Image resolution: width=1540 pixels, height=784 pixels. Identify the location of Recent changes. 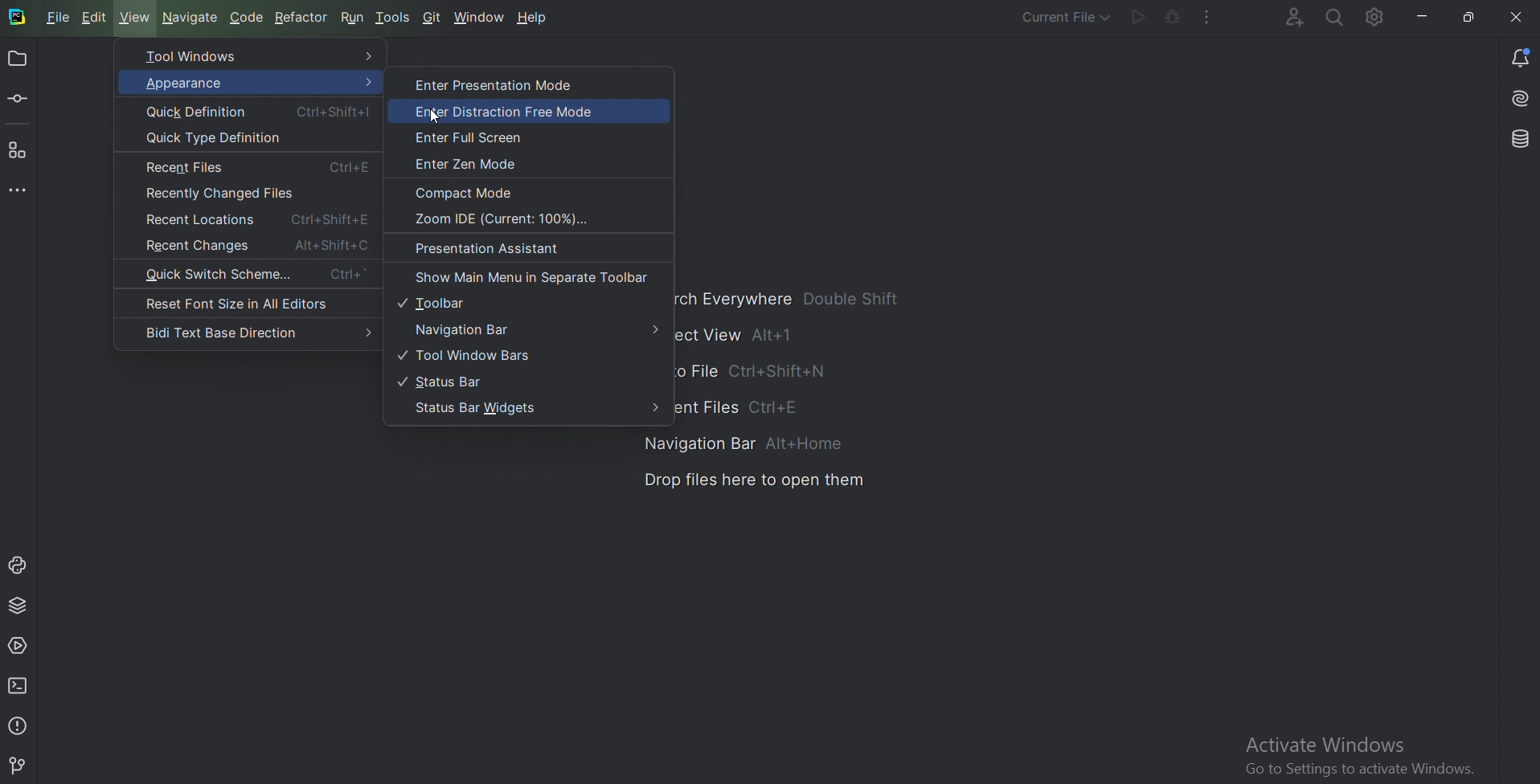
(256, 244).